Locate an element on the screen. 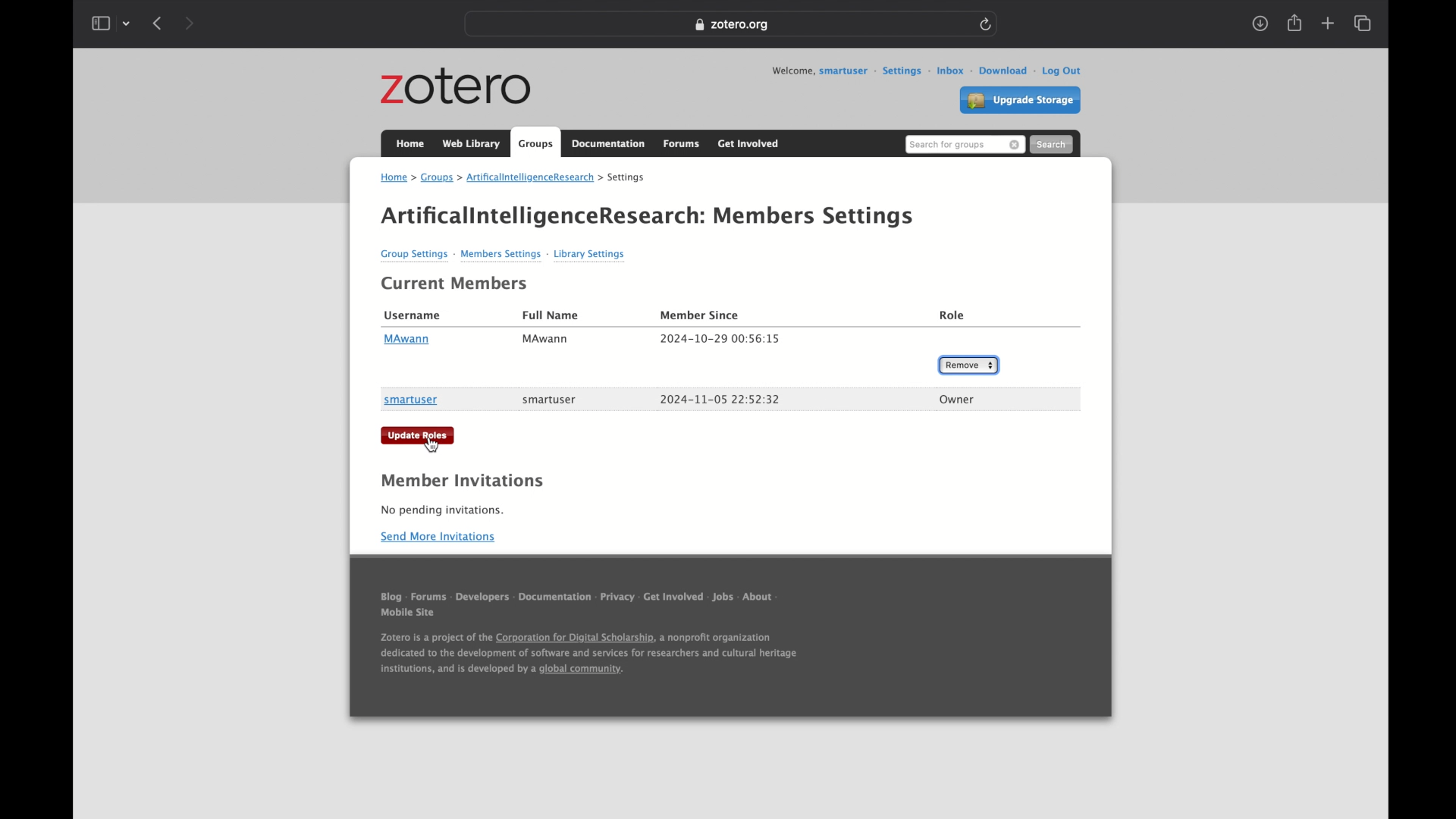  welcome, smartuser is located at coordinates (818, 71).